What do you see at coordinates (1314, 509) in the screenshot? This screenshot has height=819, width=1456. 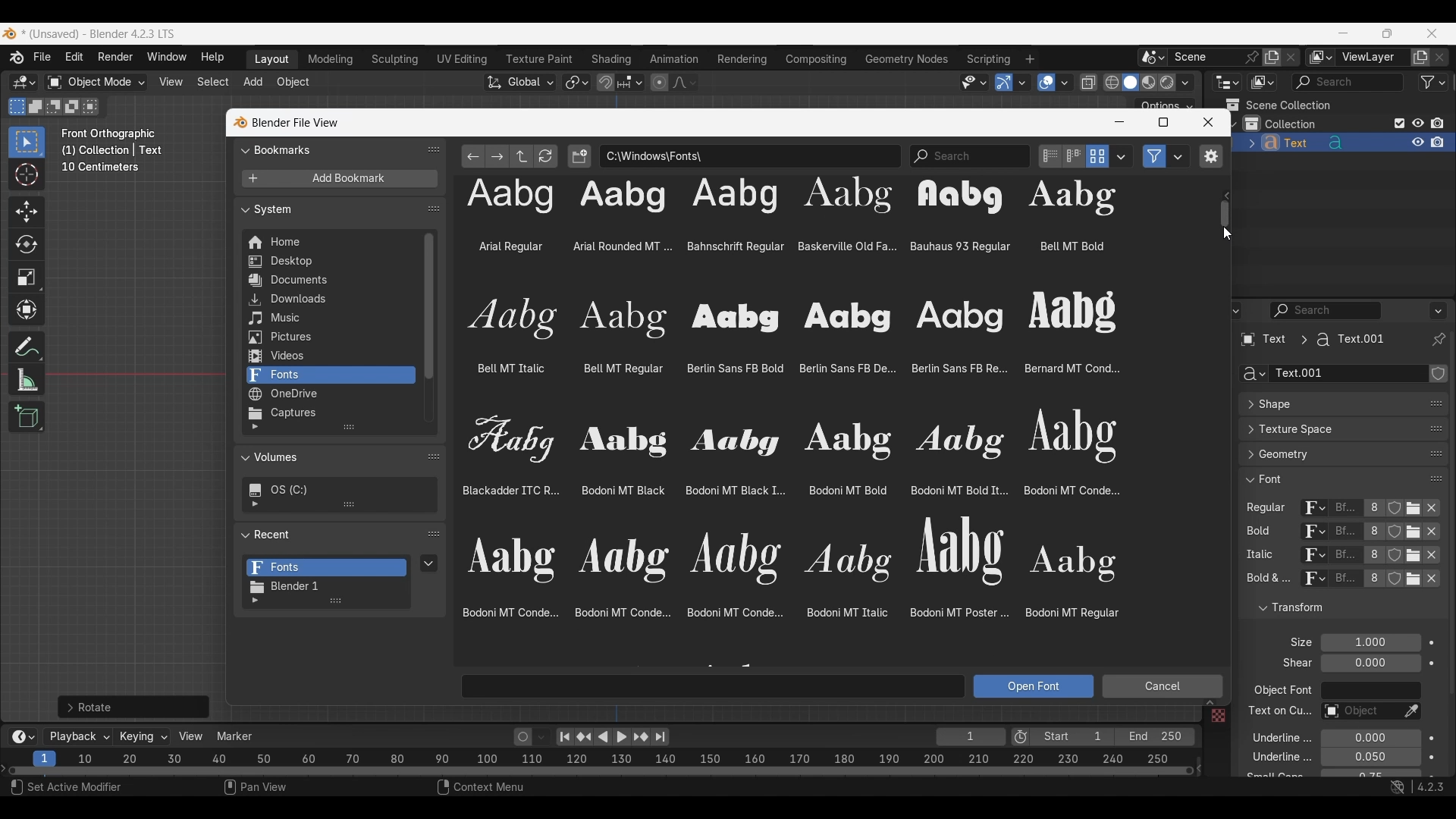 I see `Browse ID data to be linked for respective attribute` at bounding box center [1314, 509].